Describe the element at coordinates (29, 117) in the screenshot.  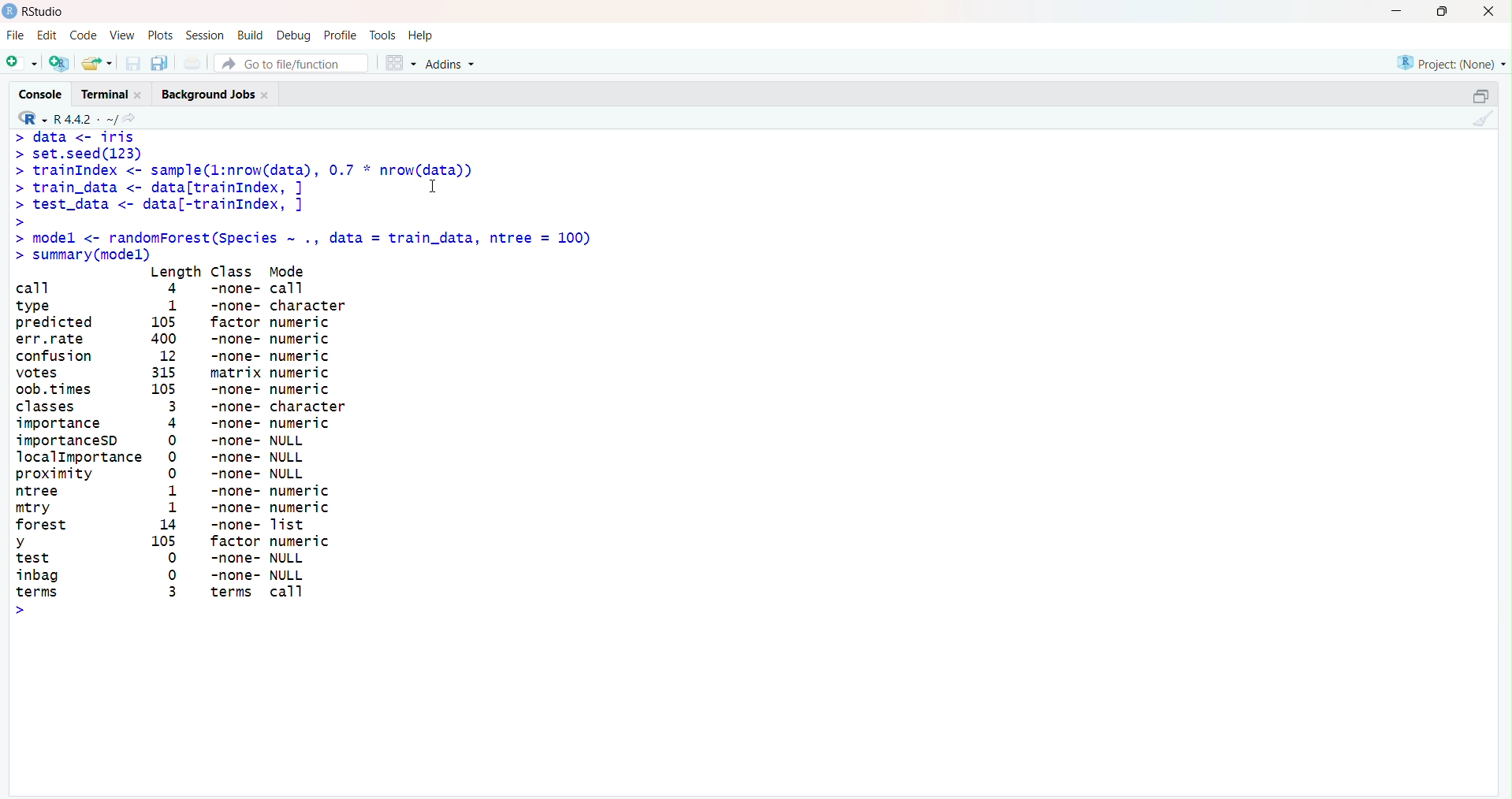
I see `RStudio logo` at that location.